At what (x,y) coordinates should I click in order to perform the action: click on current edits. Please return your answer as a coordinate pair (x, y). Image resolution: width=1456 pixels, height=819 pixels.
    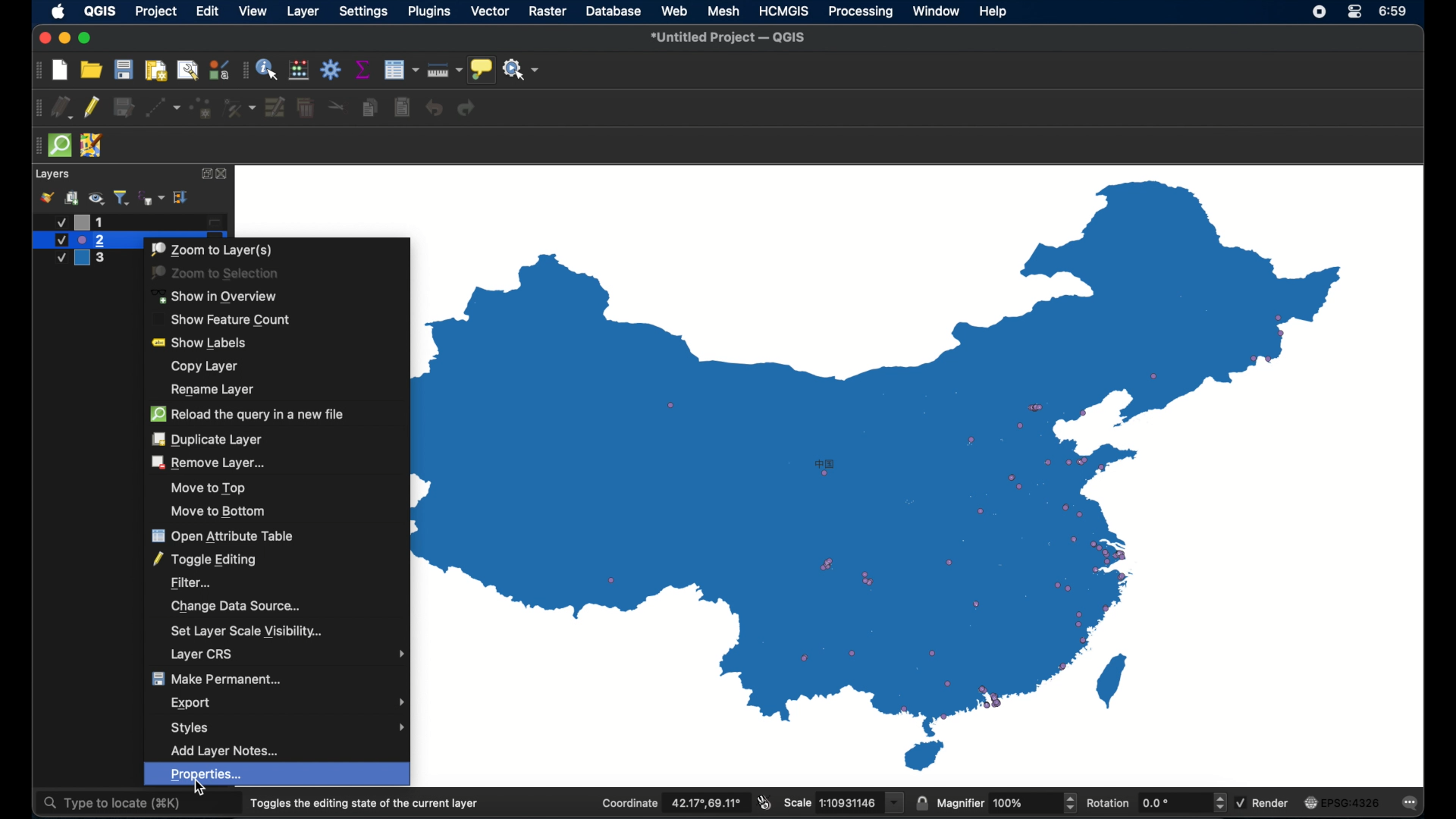
    Looking at the image, I should click on (61, 107).